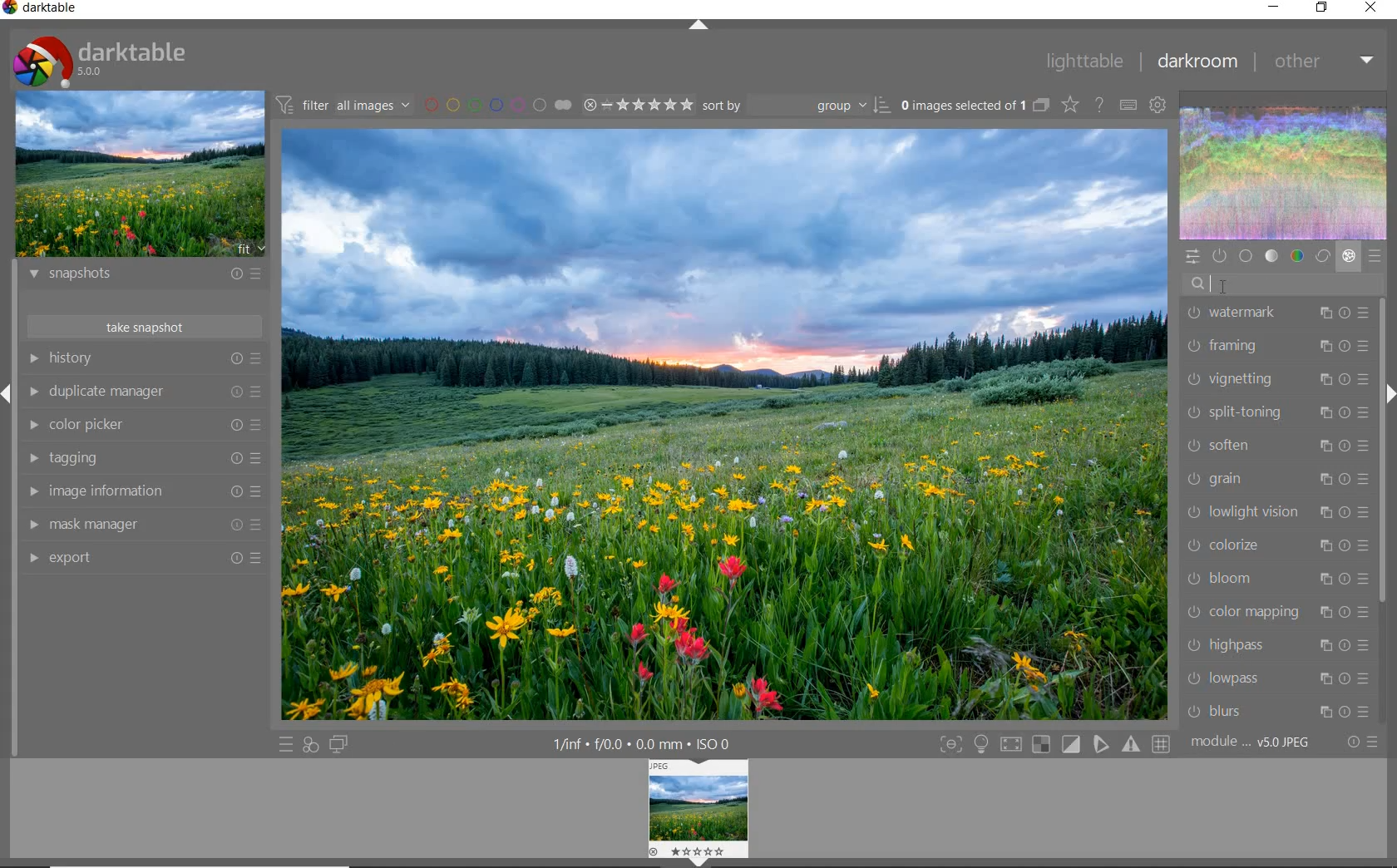 This screenshot has height=868, width=1397. What do you see at coordinates (146, 394) in the screenshot?
I see `duplicate manager` at bounding box center [146, 394].